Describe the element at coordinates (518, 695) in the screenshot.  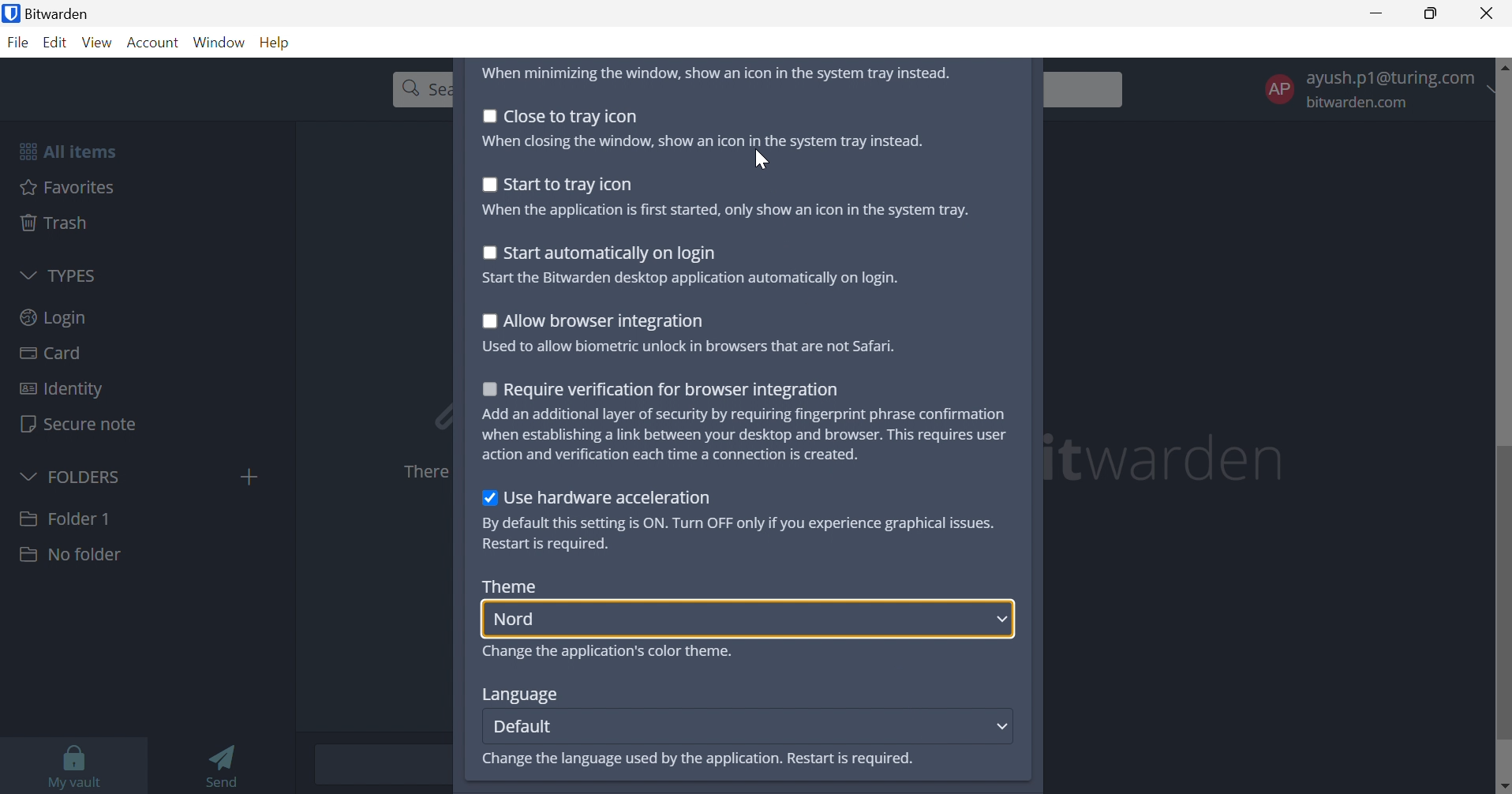
I see `Language` at that location.